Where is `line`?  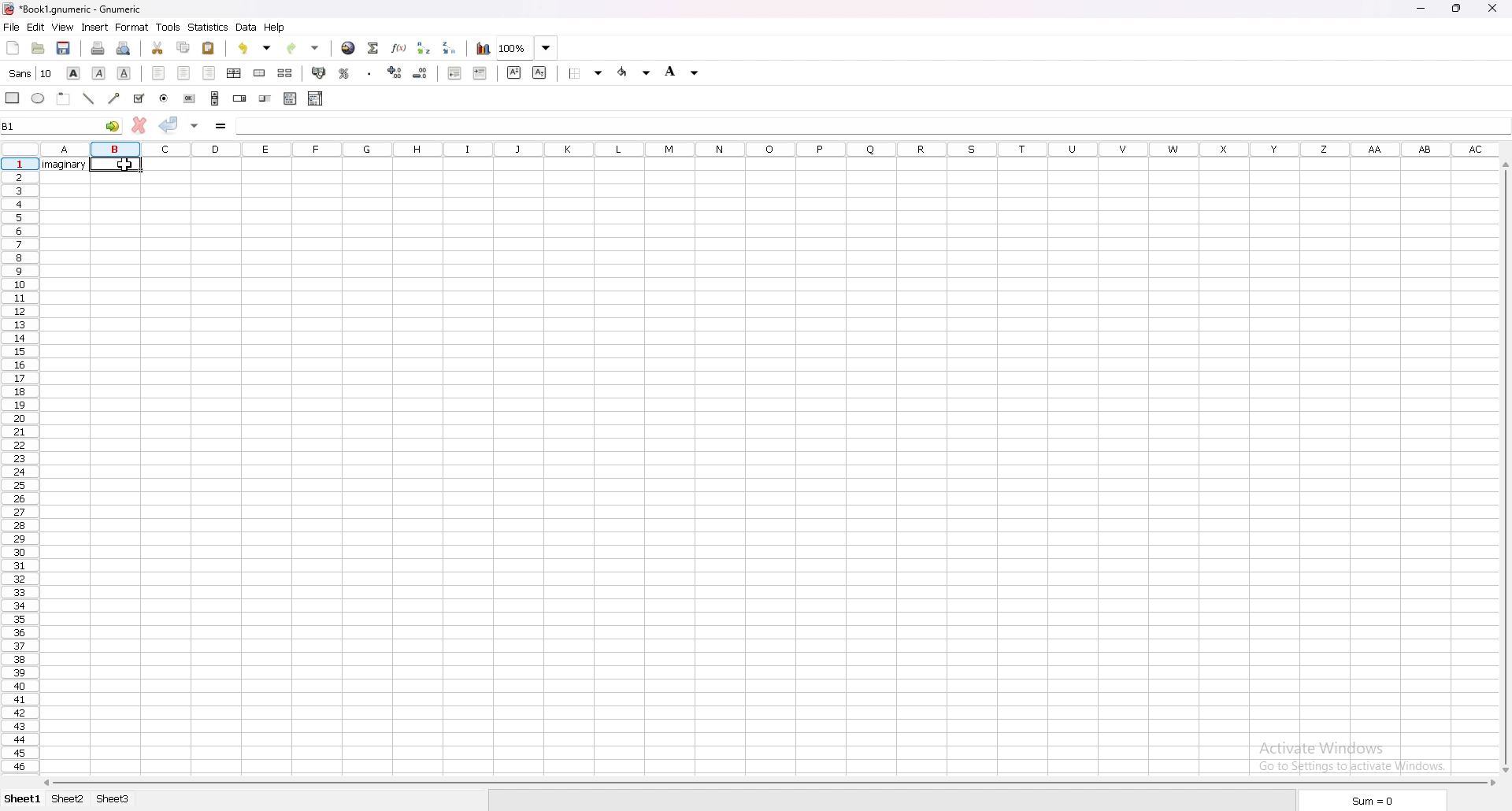
line is located at coordinates (90, 98).